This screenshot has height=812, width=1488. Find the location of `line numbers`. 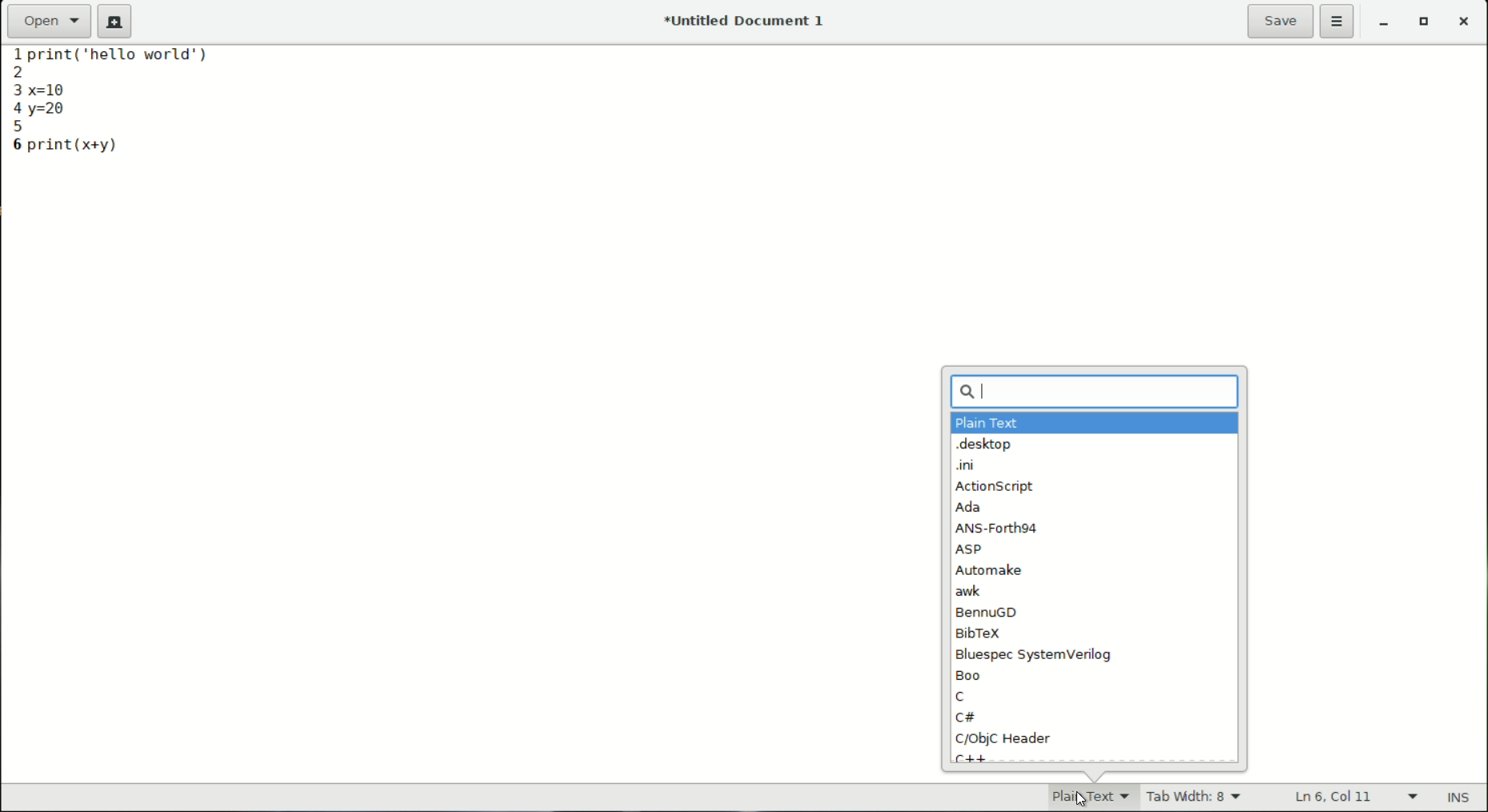

line numbers is located at coordinates (13, 100).